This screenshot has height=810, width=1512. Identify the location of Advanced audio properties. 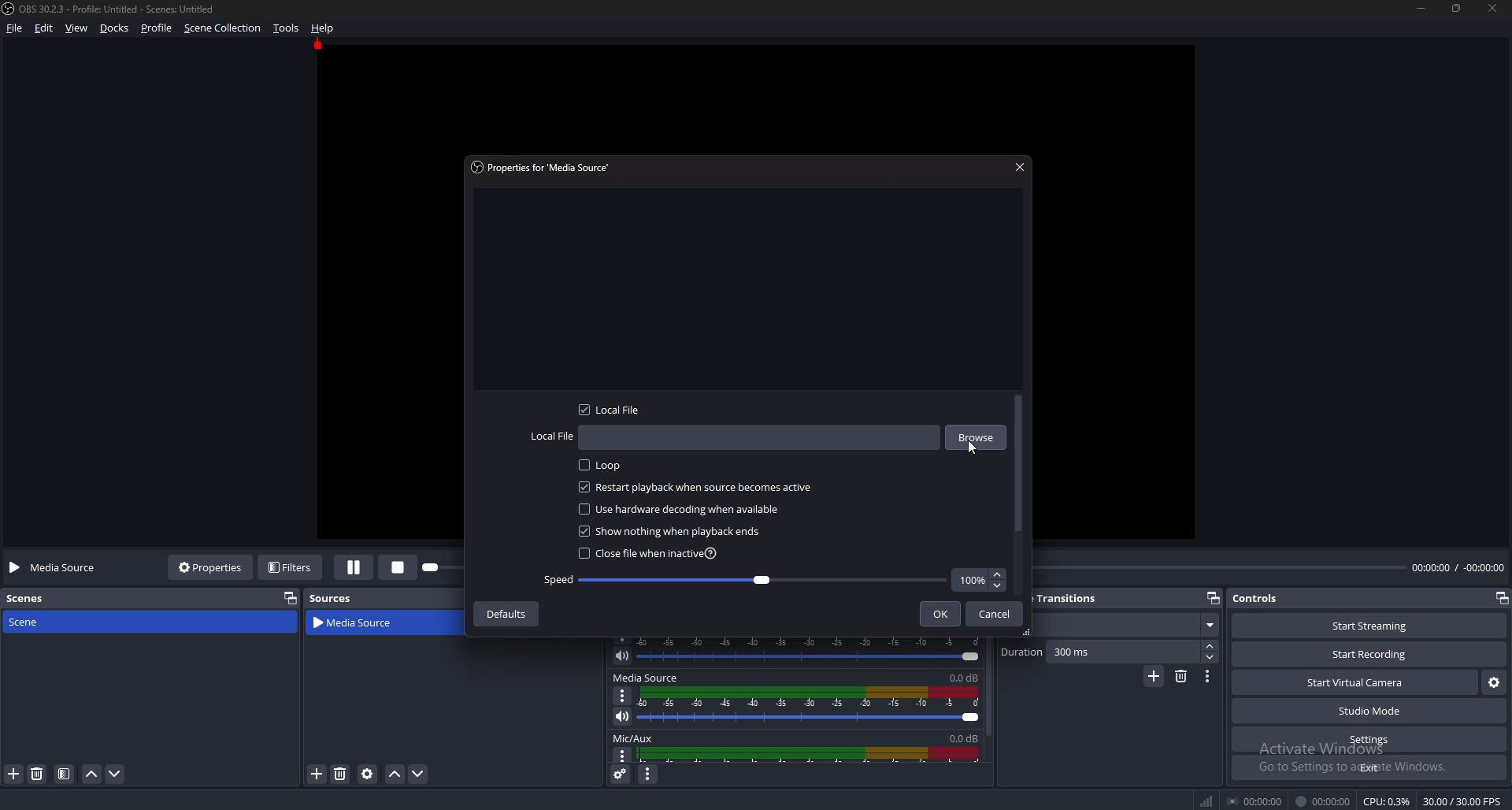
(622, 774).